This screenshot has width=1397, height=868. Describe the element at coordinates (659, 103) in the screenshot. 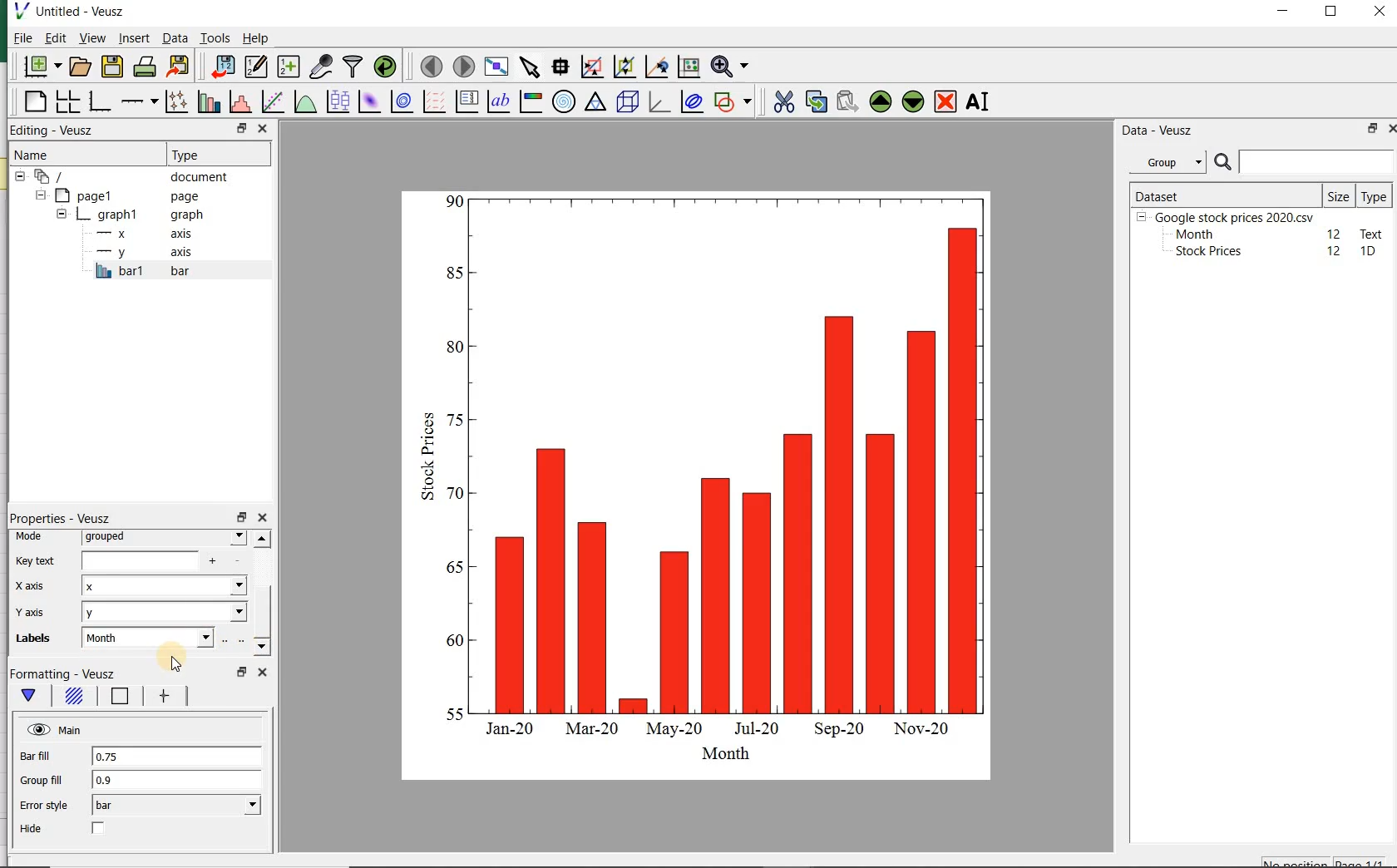

I see `3d graph` at that location.